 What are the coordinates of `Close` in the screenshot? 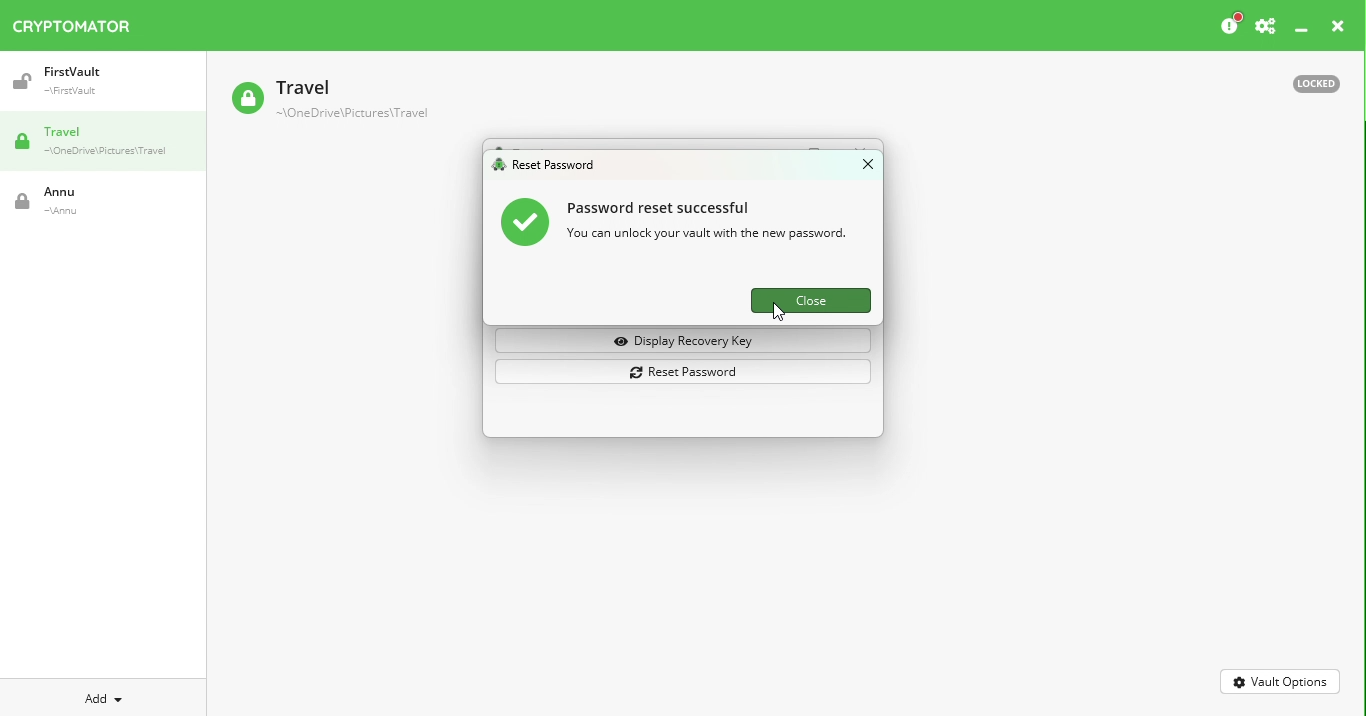 It's located at (807, 299).